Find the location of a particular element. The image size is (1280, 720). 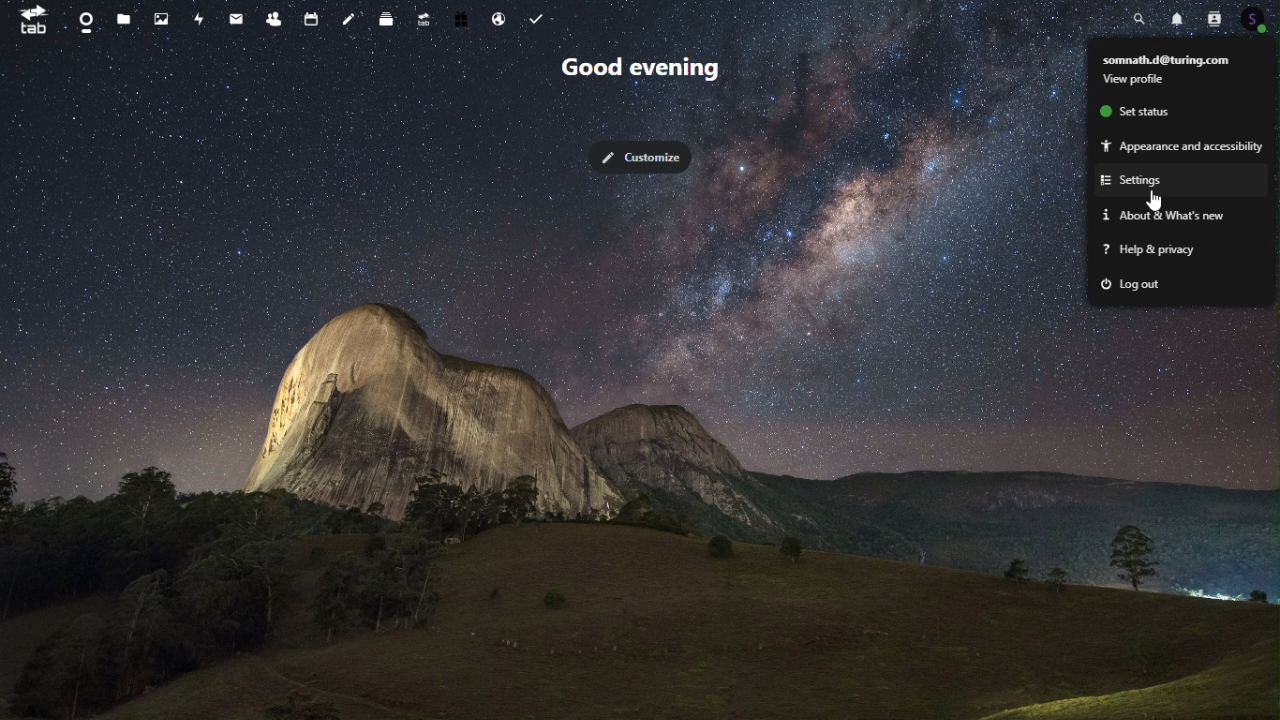

Good evening is located at coordinates (659, 68).